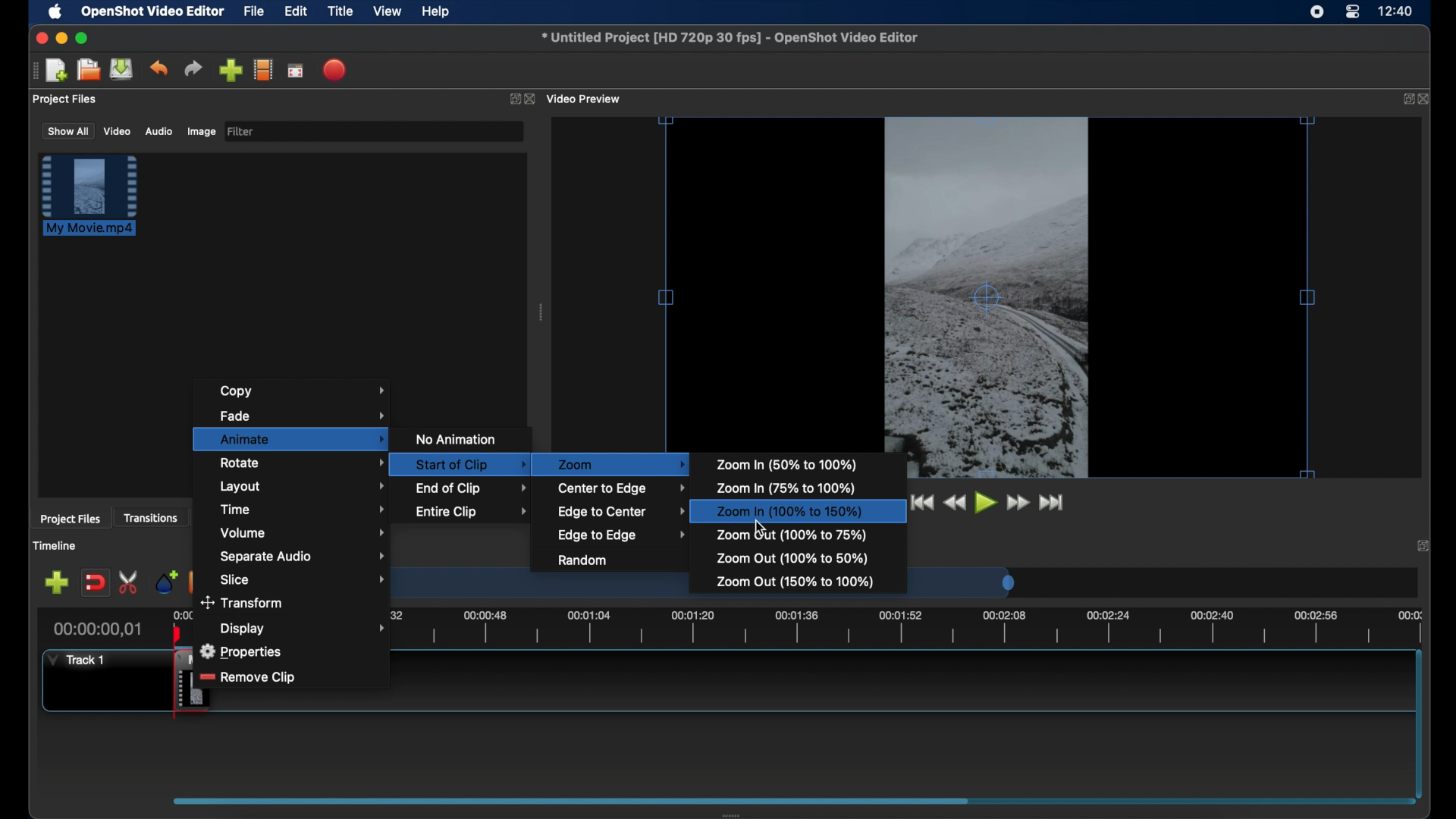  What do you see at coordinates (761, 526) in the screenshot?
I see `cursor` at bounding box center [761, 526].